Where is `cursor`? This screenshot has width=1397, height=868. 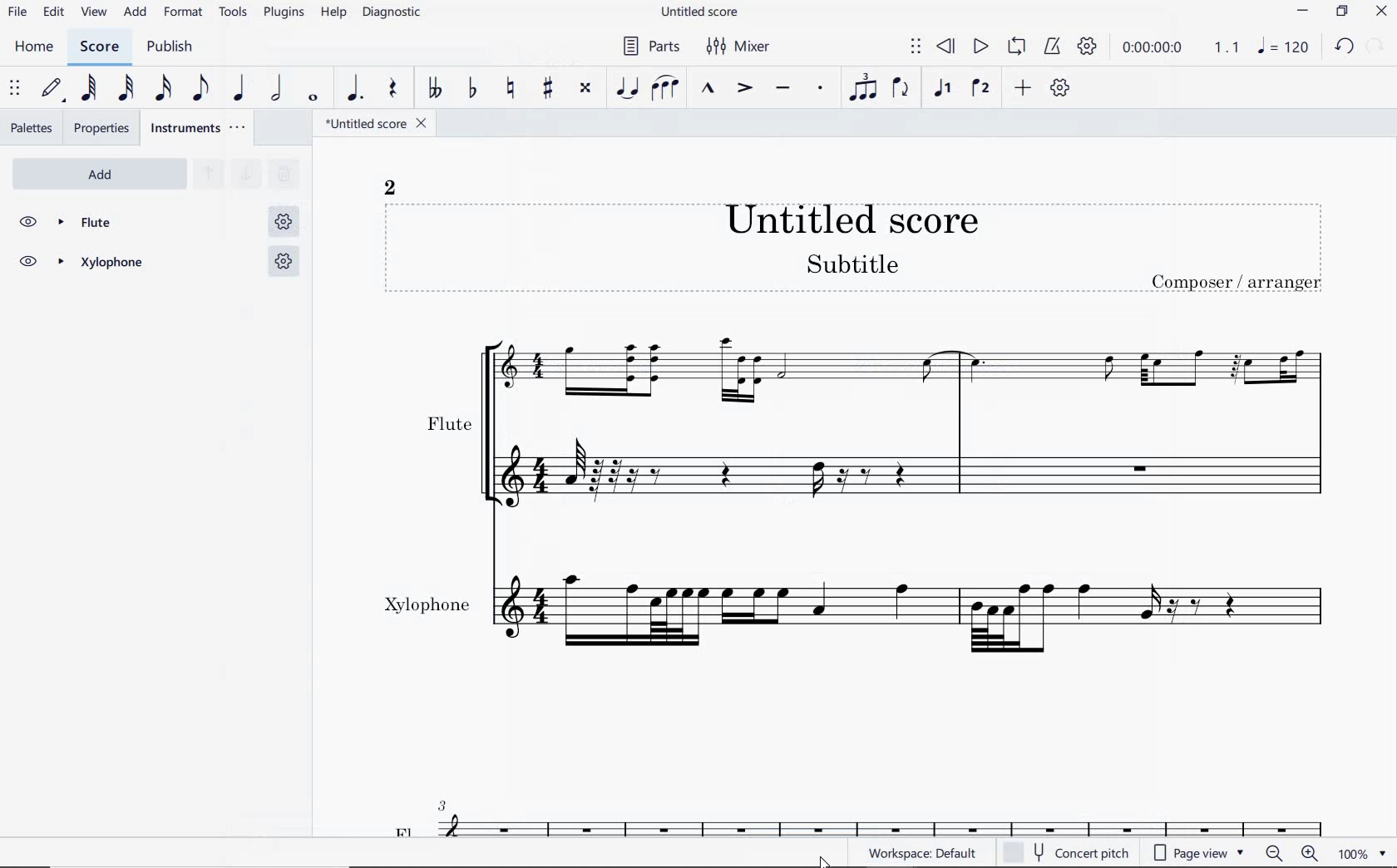
cursor is located at coordinates (184, 24).